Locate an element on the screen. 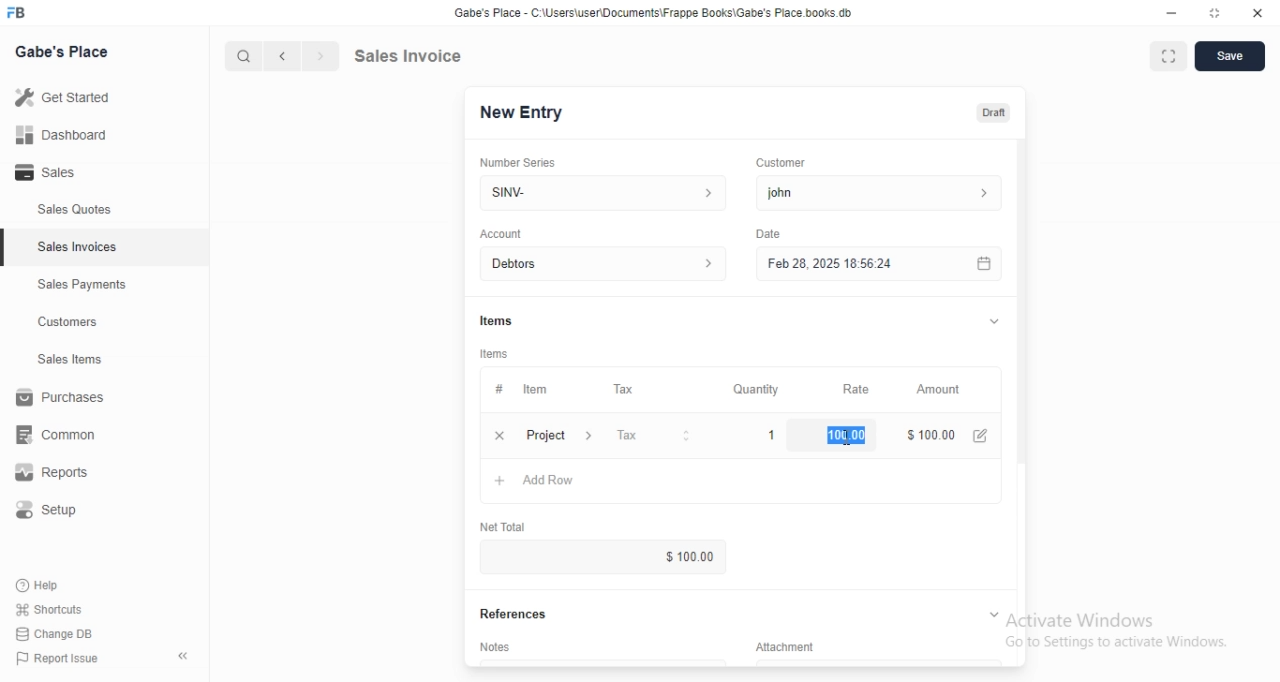 Image resolution: width=1280 pixels, height=682 pixels. Customer is located at coordinates (789, 161).